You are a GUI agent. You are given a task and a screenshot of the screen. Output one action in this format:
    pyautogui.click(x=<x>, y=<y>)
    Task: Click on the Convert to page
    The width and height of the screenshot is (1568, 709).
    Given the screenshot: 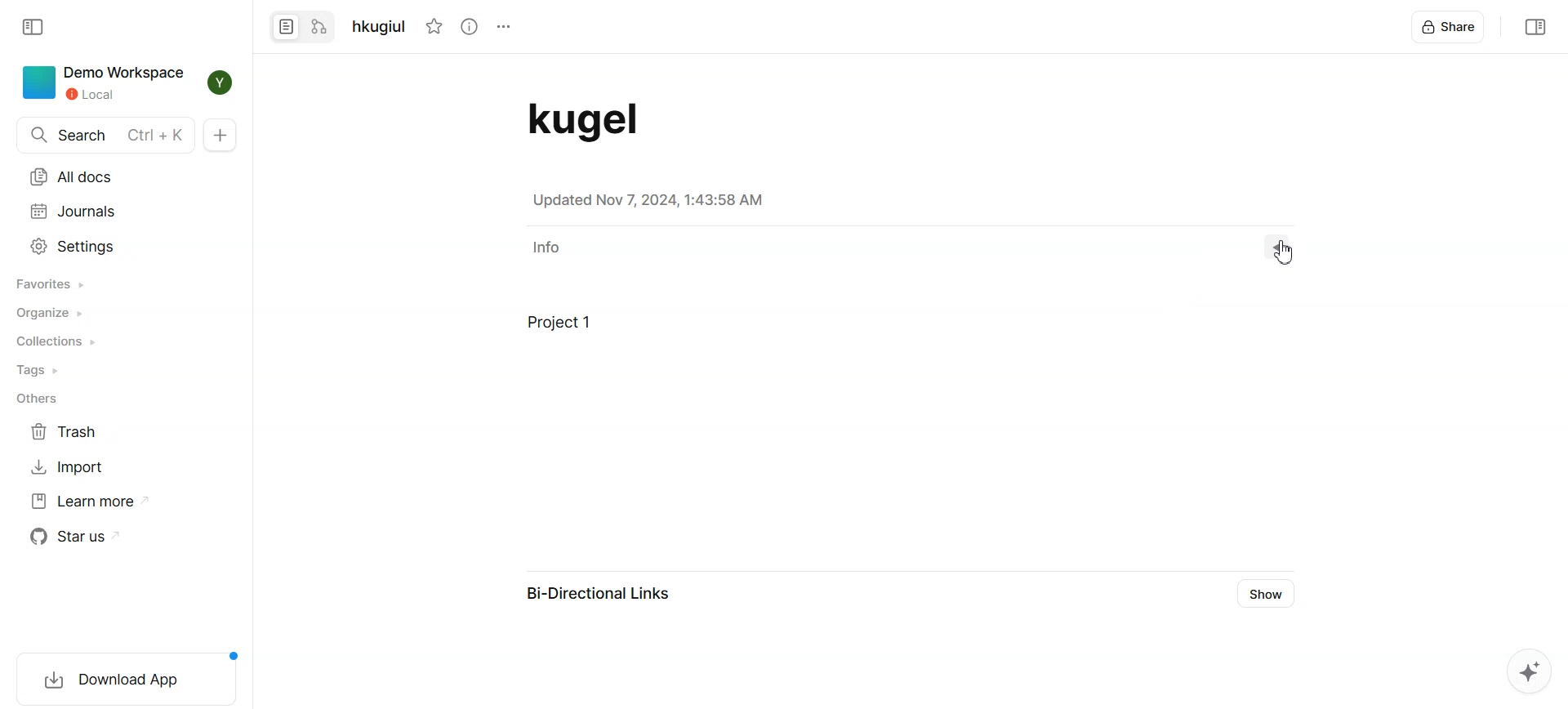 What is the action you would take?
    pyautogui.click(x=287, y=28)
    